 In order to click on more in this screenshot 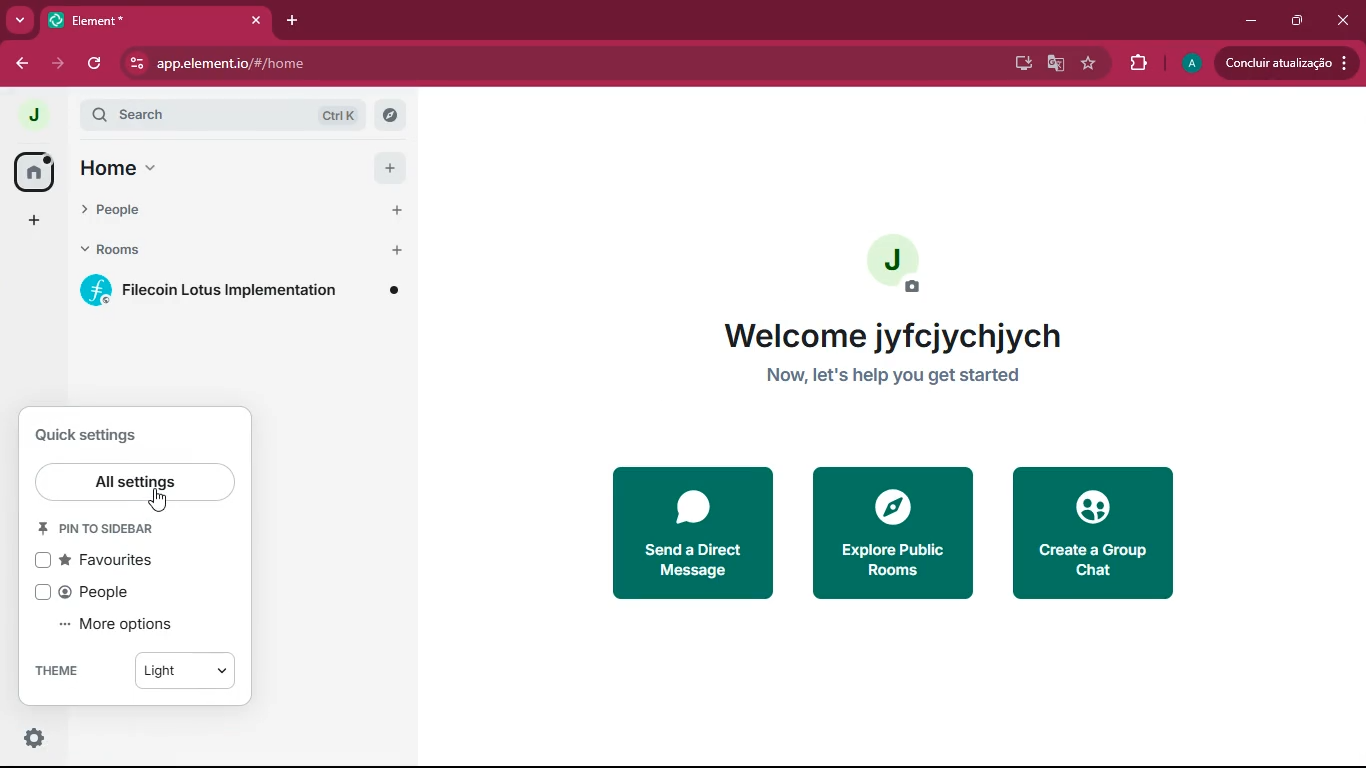, I will do `click(19, 19)`.